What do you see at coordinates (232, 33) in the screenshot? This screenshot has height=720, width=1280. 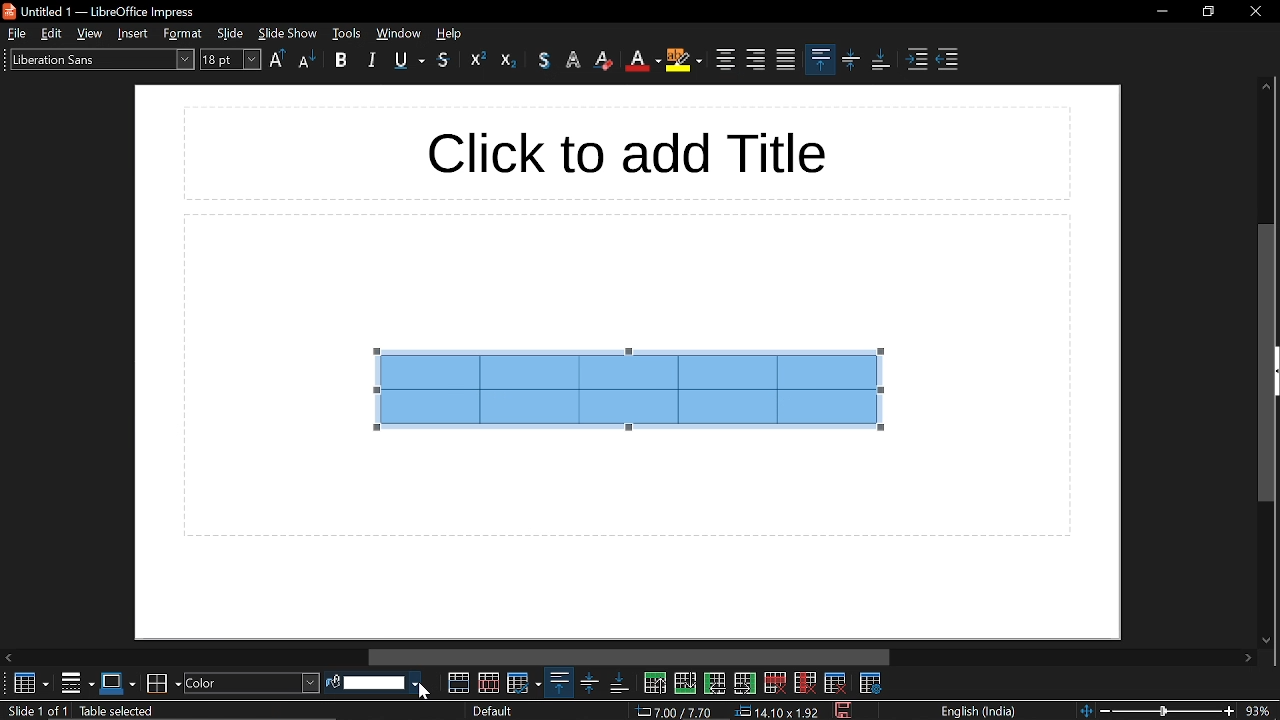 I see `slide` at bounding box center [232, 33].